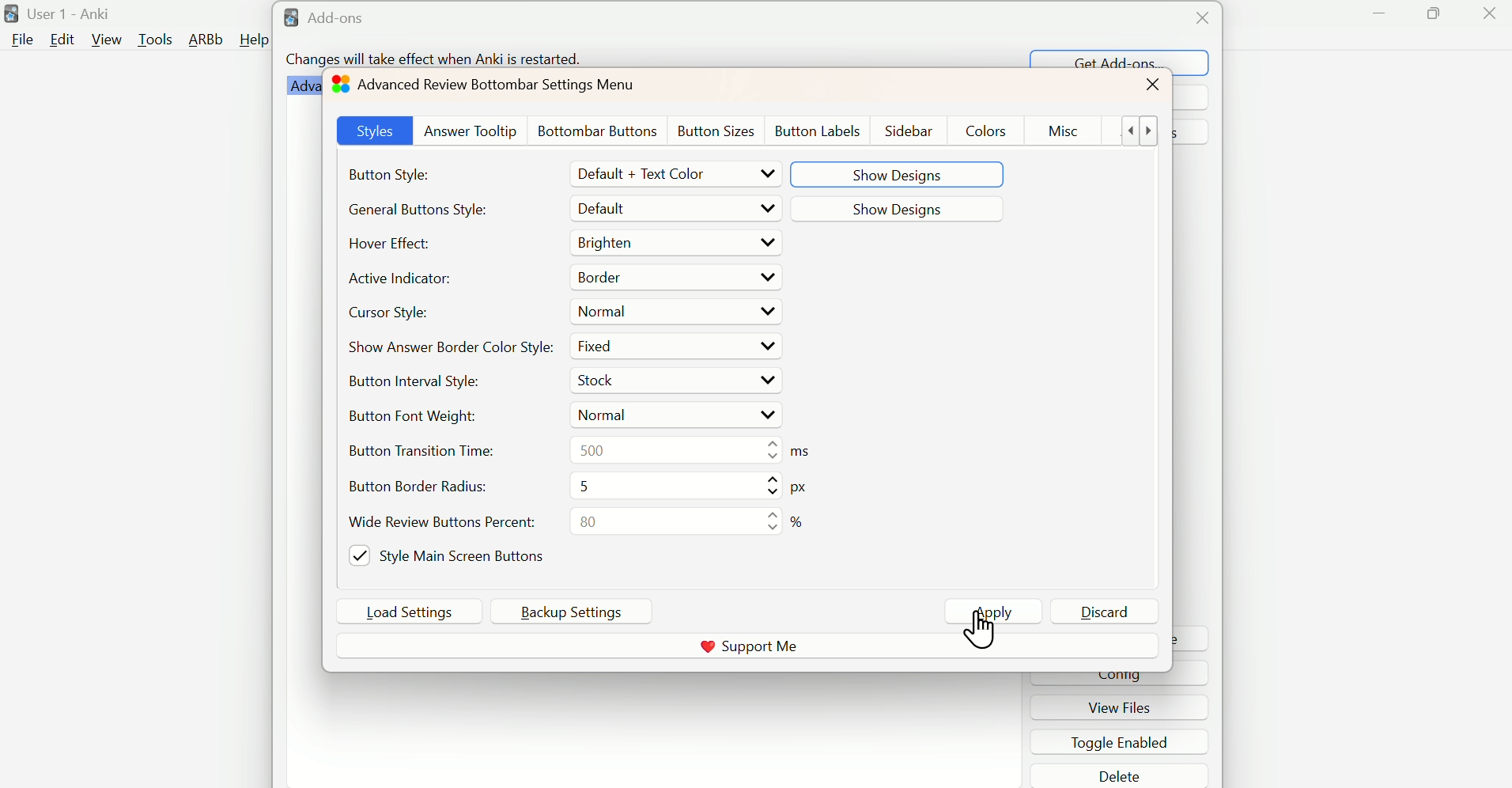  Describe the element at coordinates (429, 451) in the screenshot. I see `Button Transition Time` at that location.